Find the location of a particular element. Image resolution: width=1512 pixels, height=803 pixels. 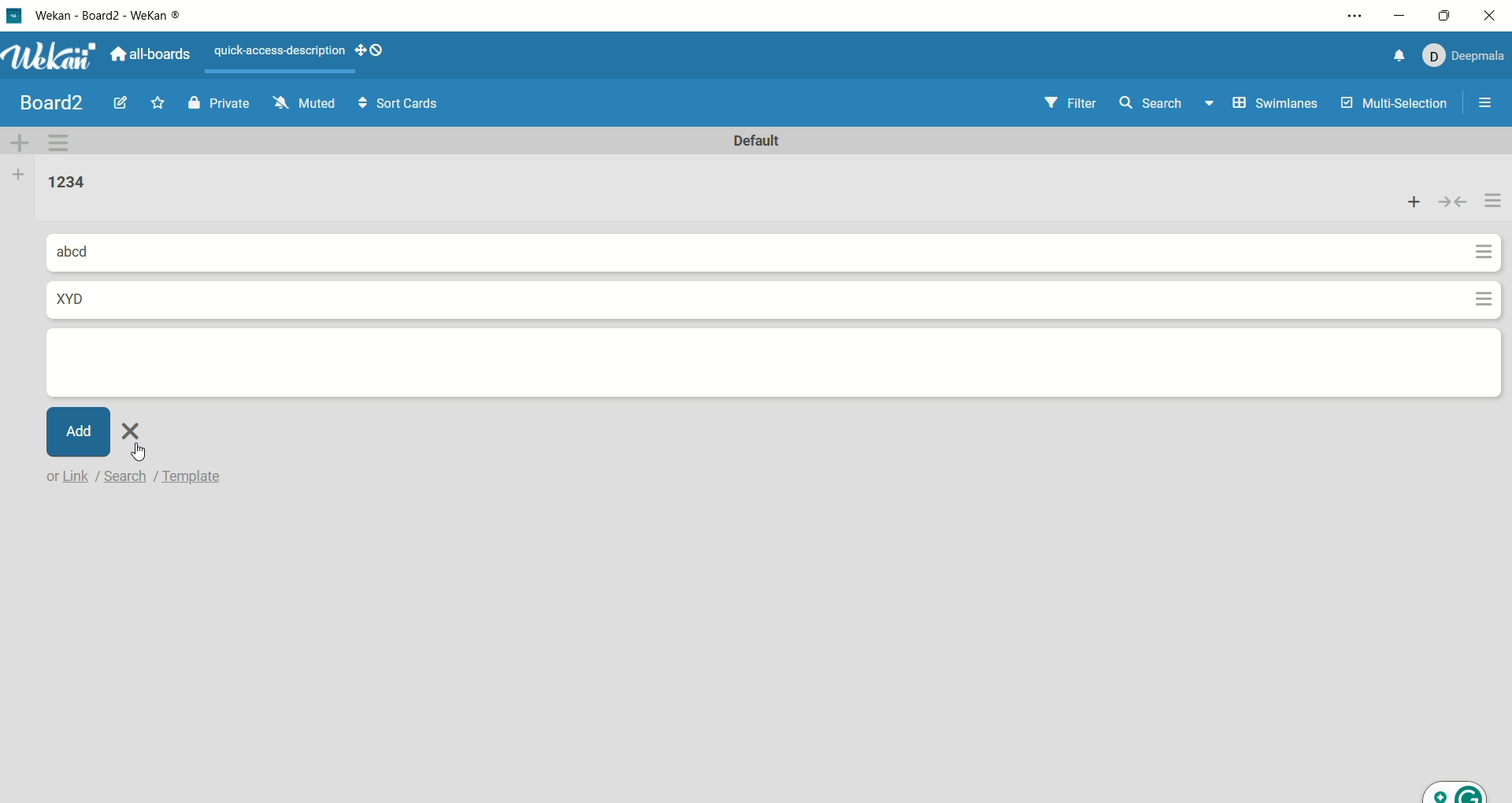

account is located at coordinates (1463, 53).